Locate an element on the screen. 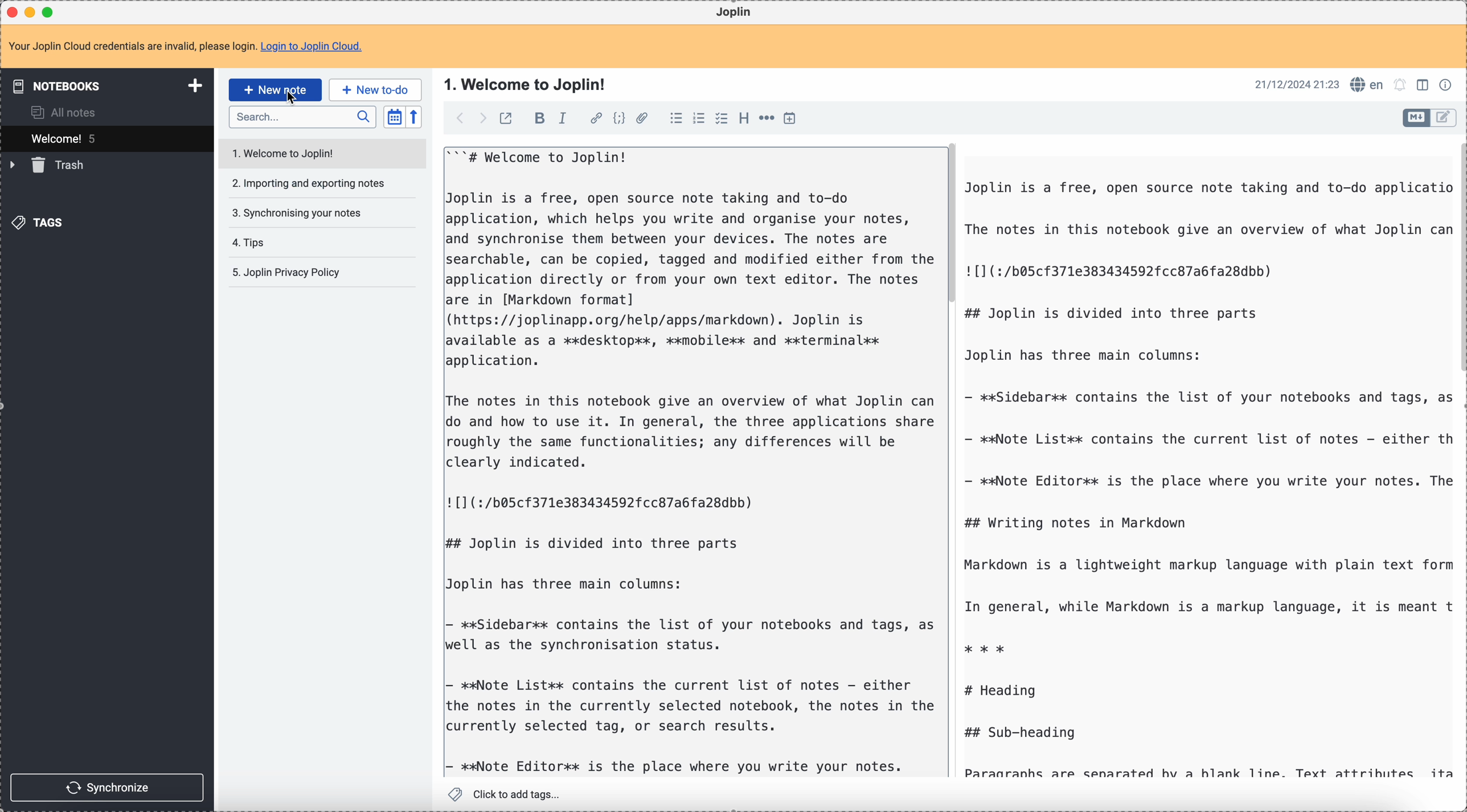  code is located at coordinates (619, 119).